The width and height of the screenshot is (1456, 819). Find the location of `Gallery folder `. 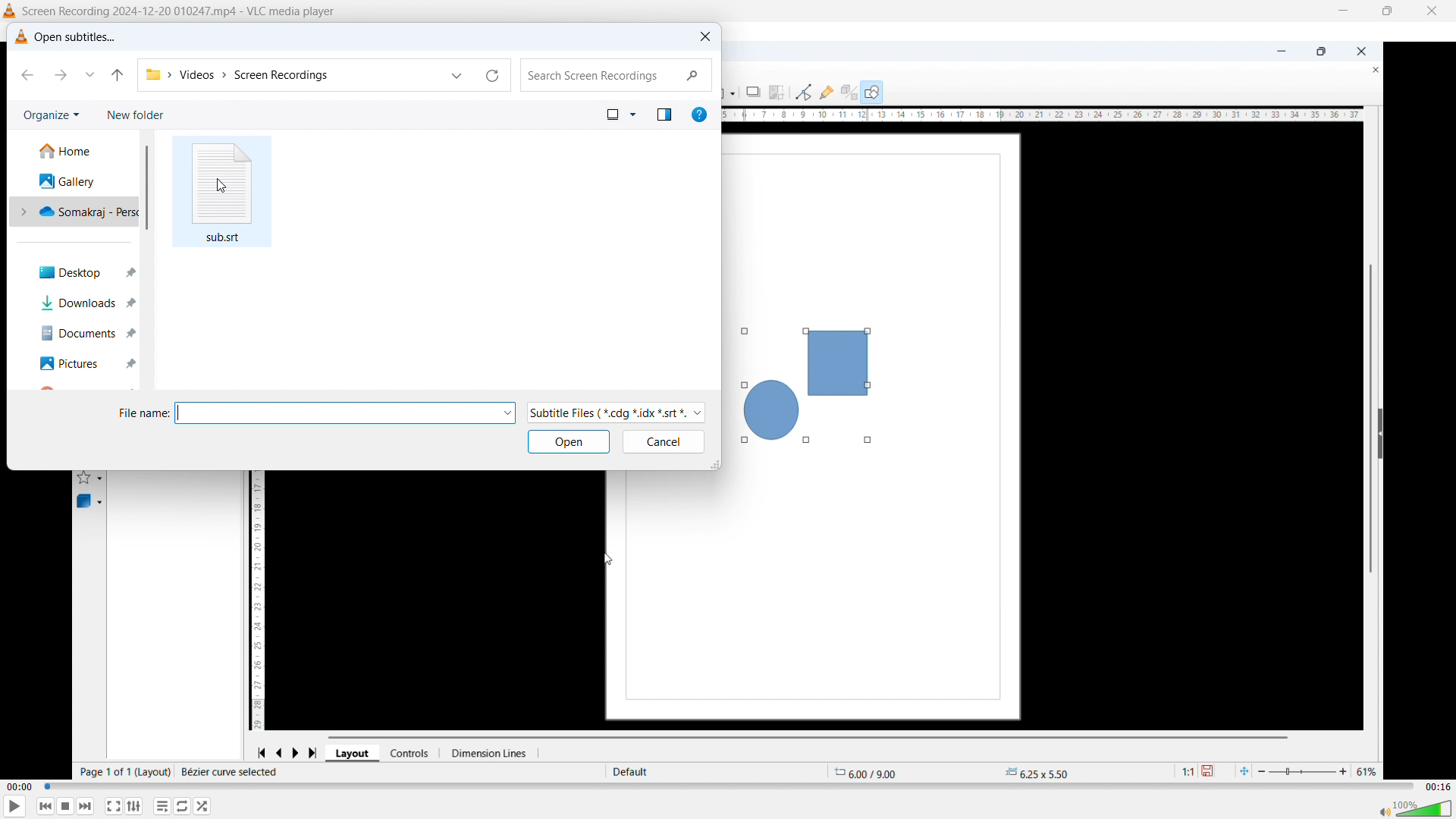

Gallery folder  is located at coordinates (69, 180).